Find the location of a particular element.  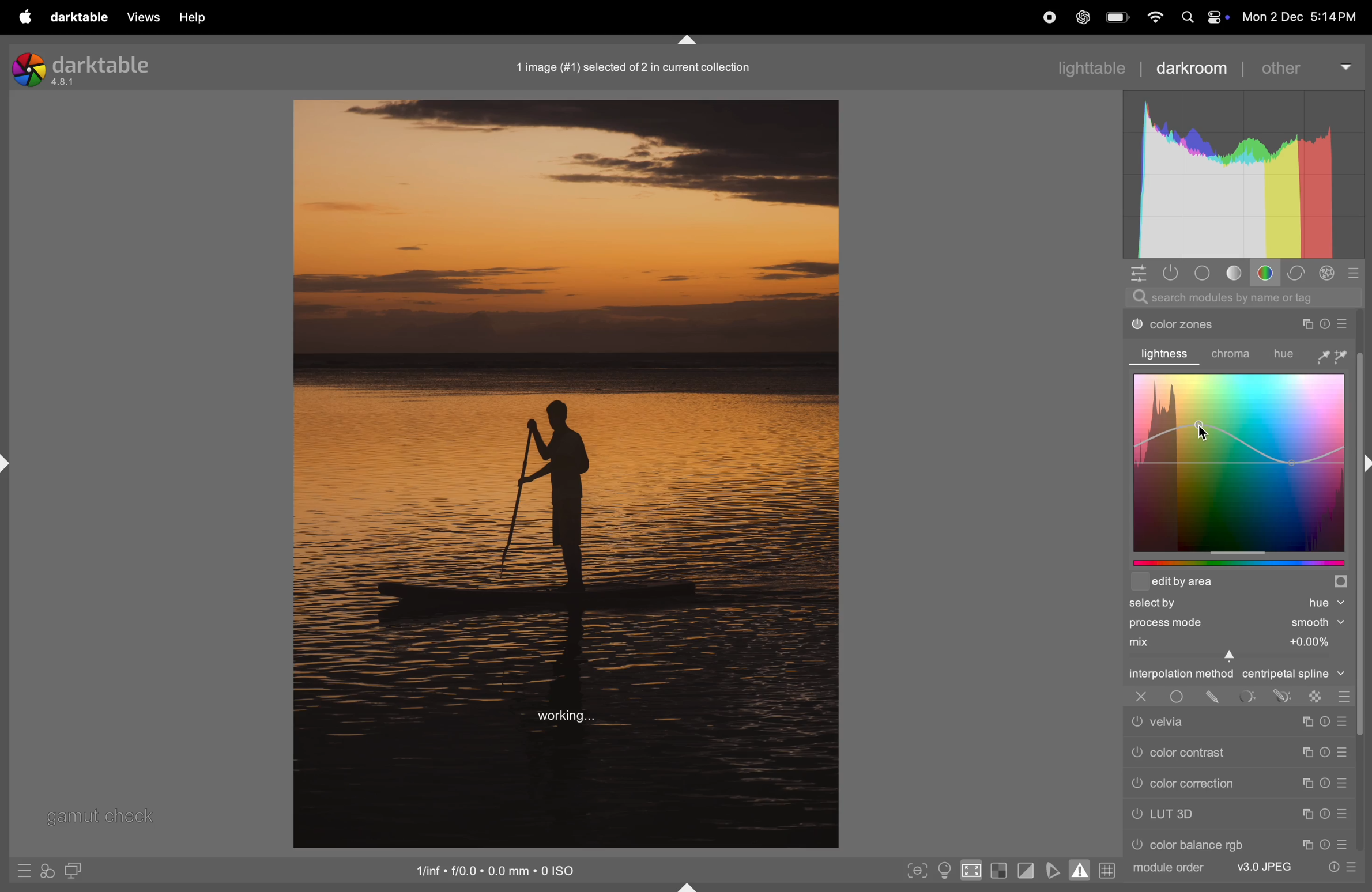

record is located at coordinates (1049, 20).